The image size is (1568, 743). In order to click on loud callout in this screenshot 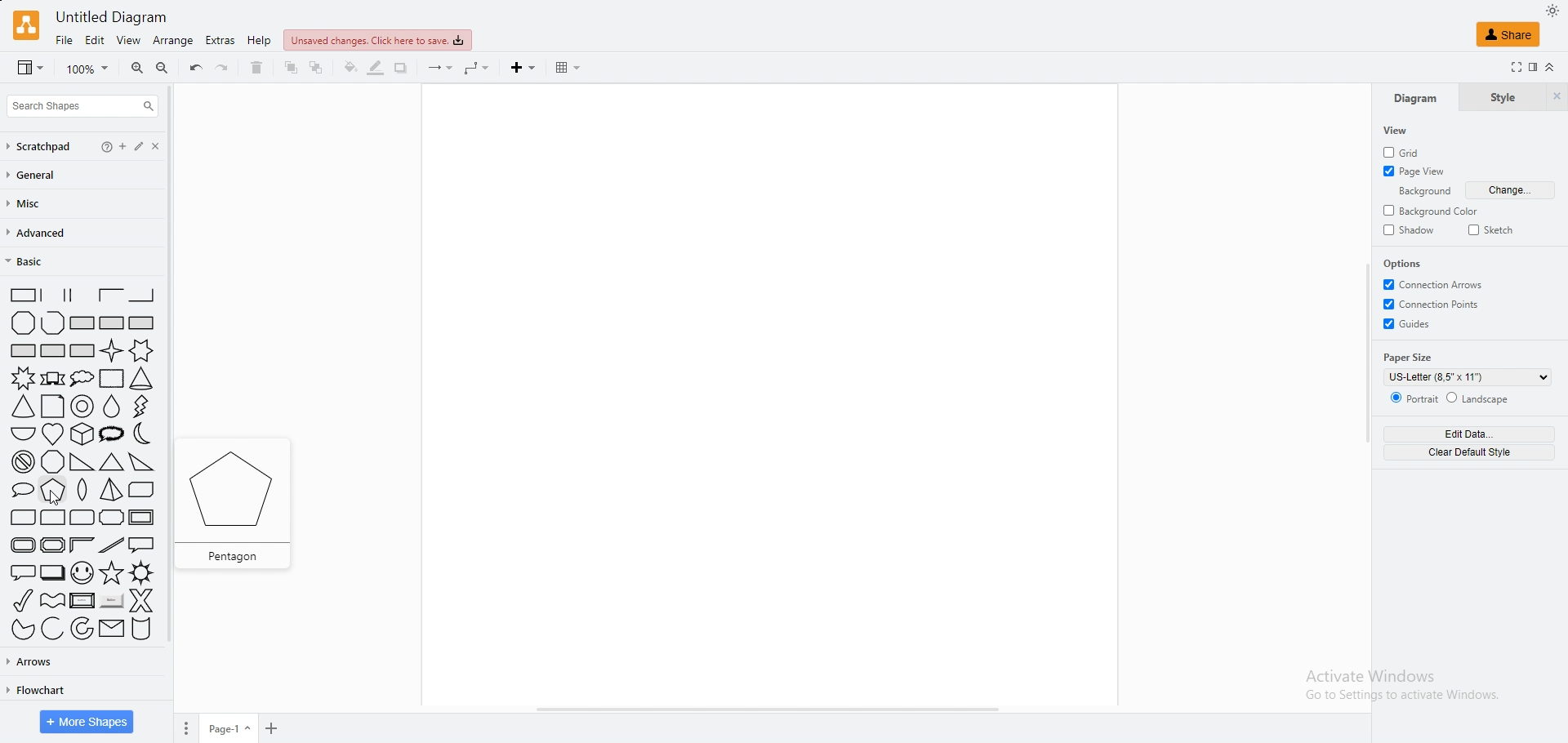, I will do `click(114, 434)`.